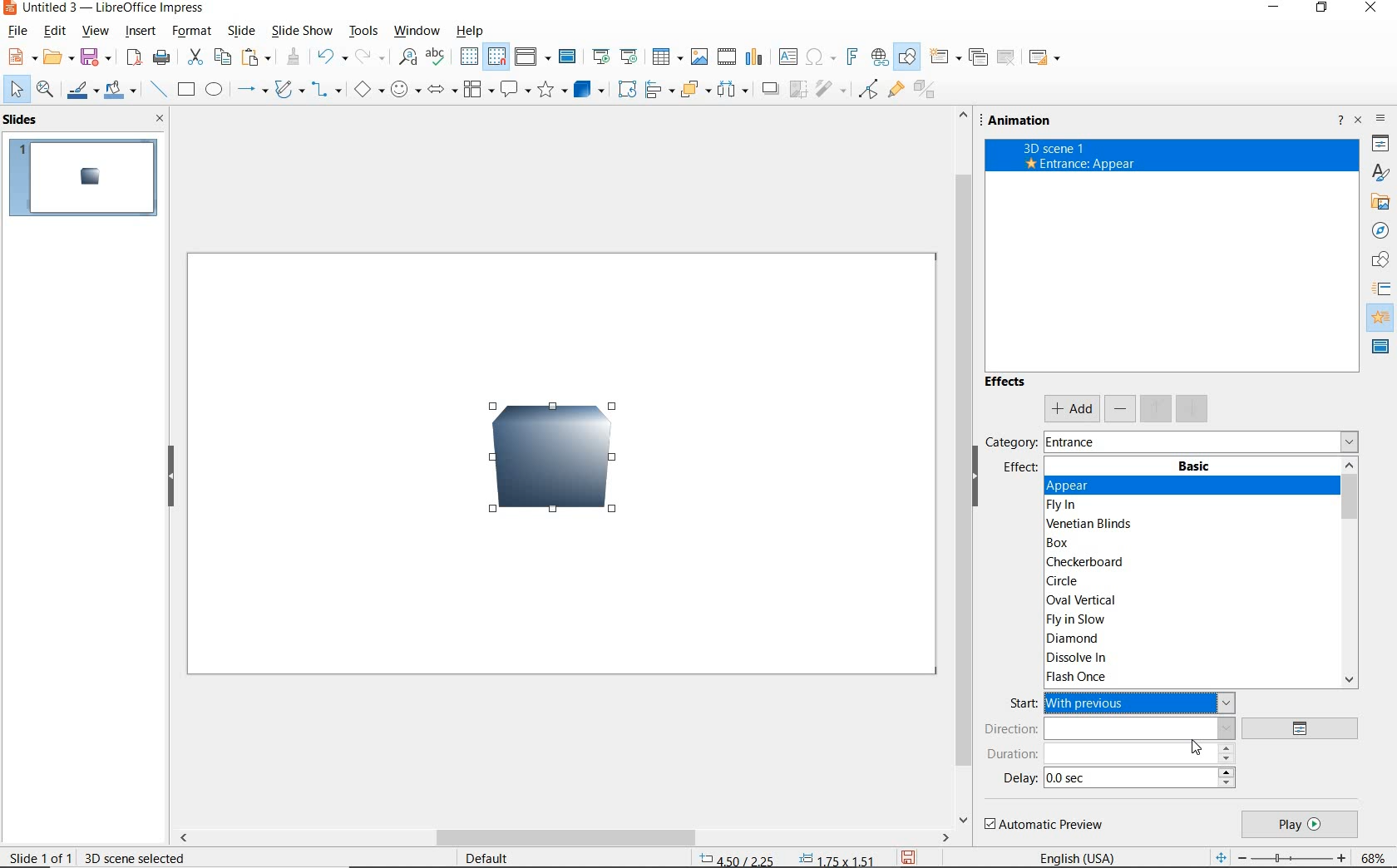 The image size is (1397, 868). What do you see at coordinates (1088, 563) in the screenshot?
I see `CHECKERBOARD` at bounding box center [1088, 563].